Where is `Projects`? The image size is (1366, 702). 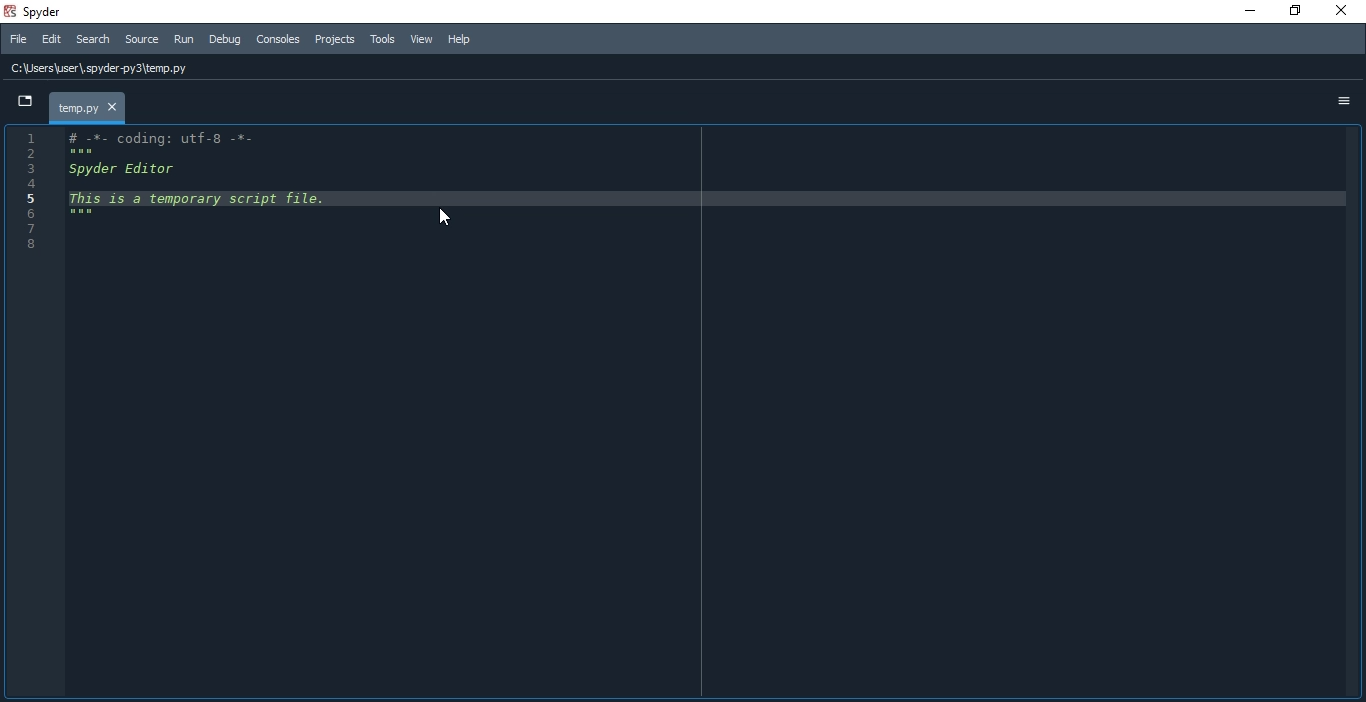
Projects is located at coordinates (335, 41).